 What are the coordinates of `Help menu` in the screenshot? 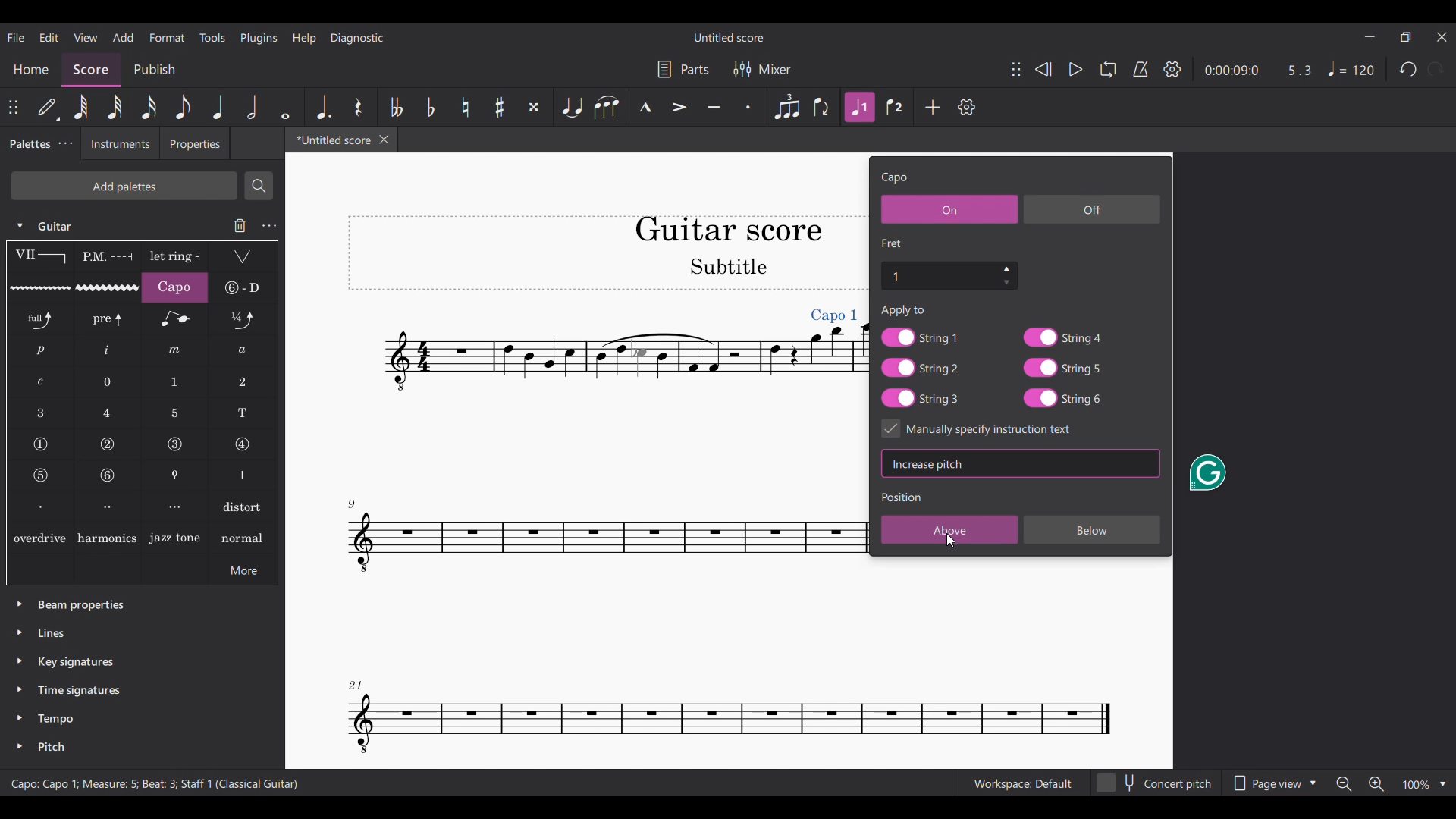 It's located at (304, 39).